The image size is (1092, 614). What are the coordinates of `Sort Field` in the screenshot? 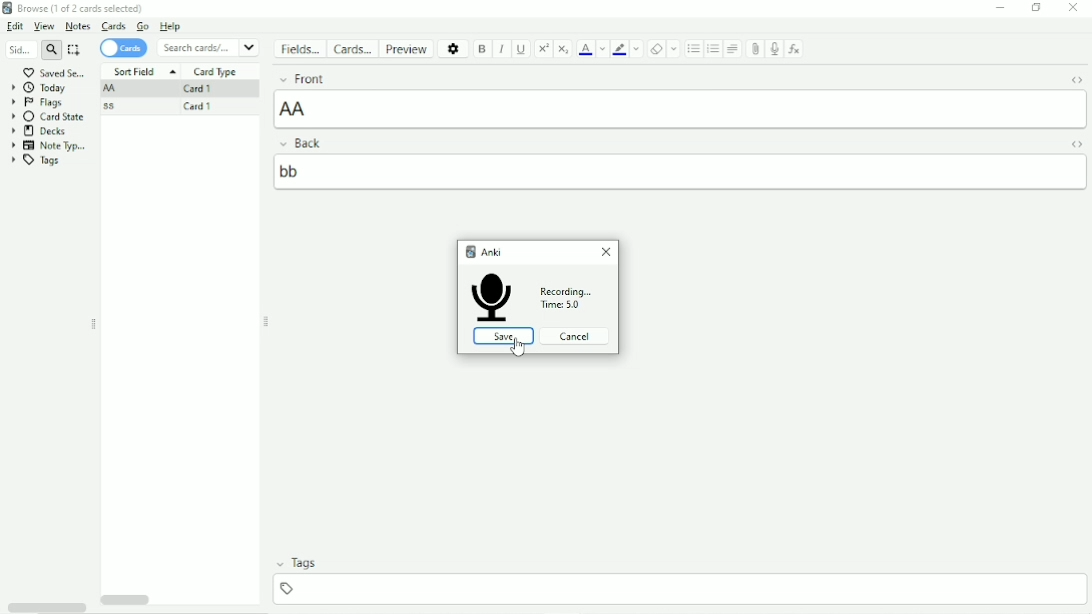 It's located at (146, 71).